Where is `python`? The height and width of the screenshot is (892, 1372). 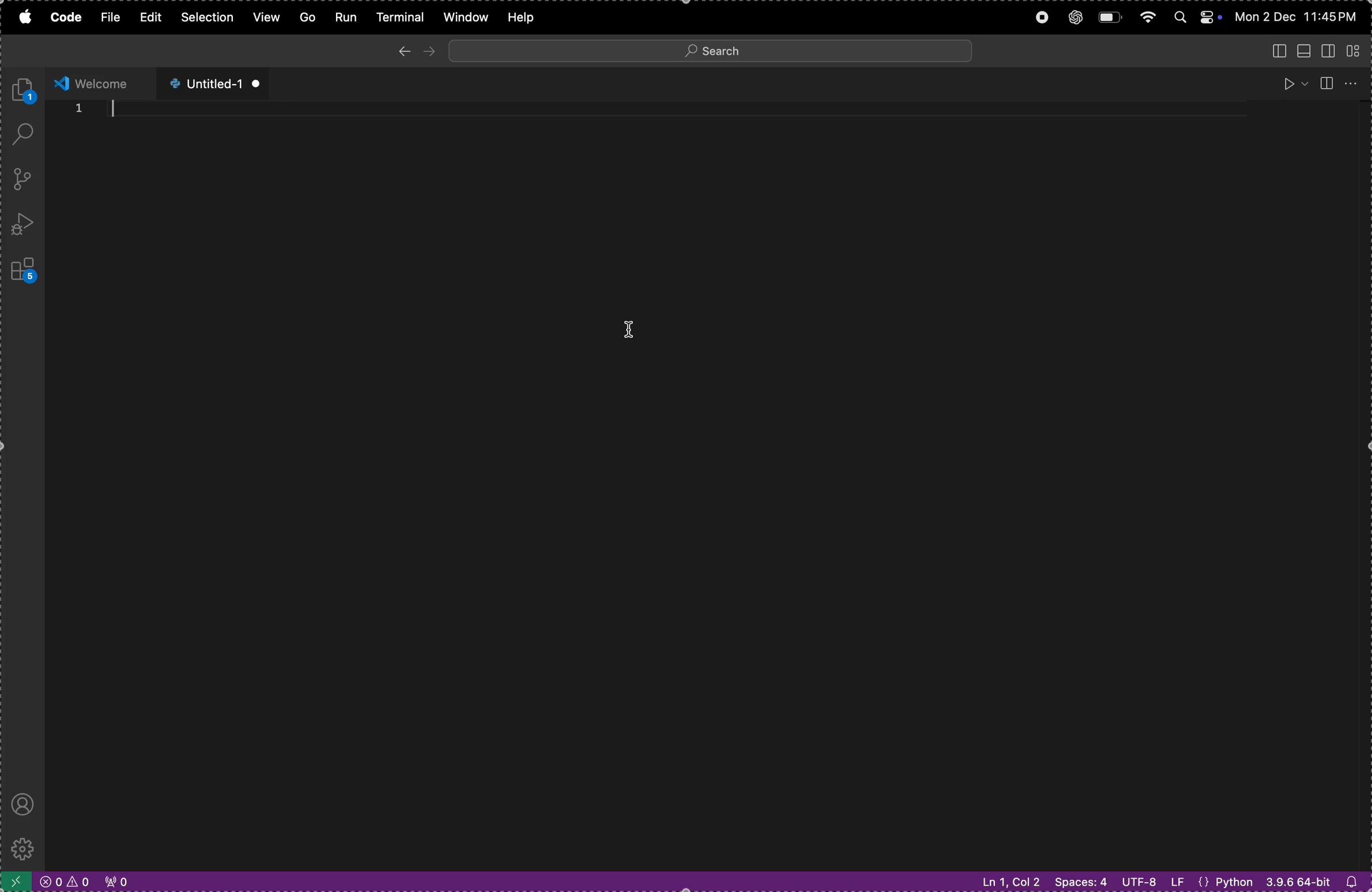
python is located at coordinates (1228, 881).